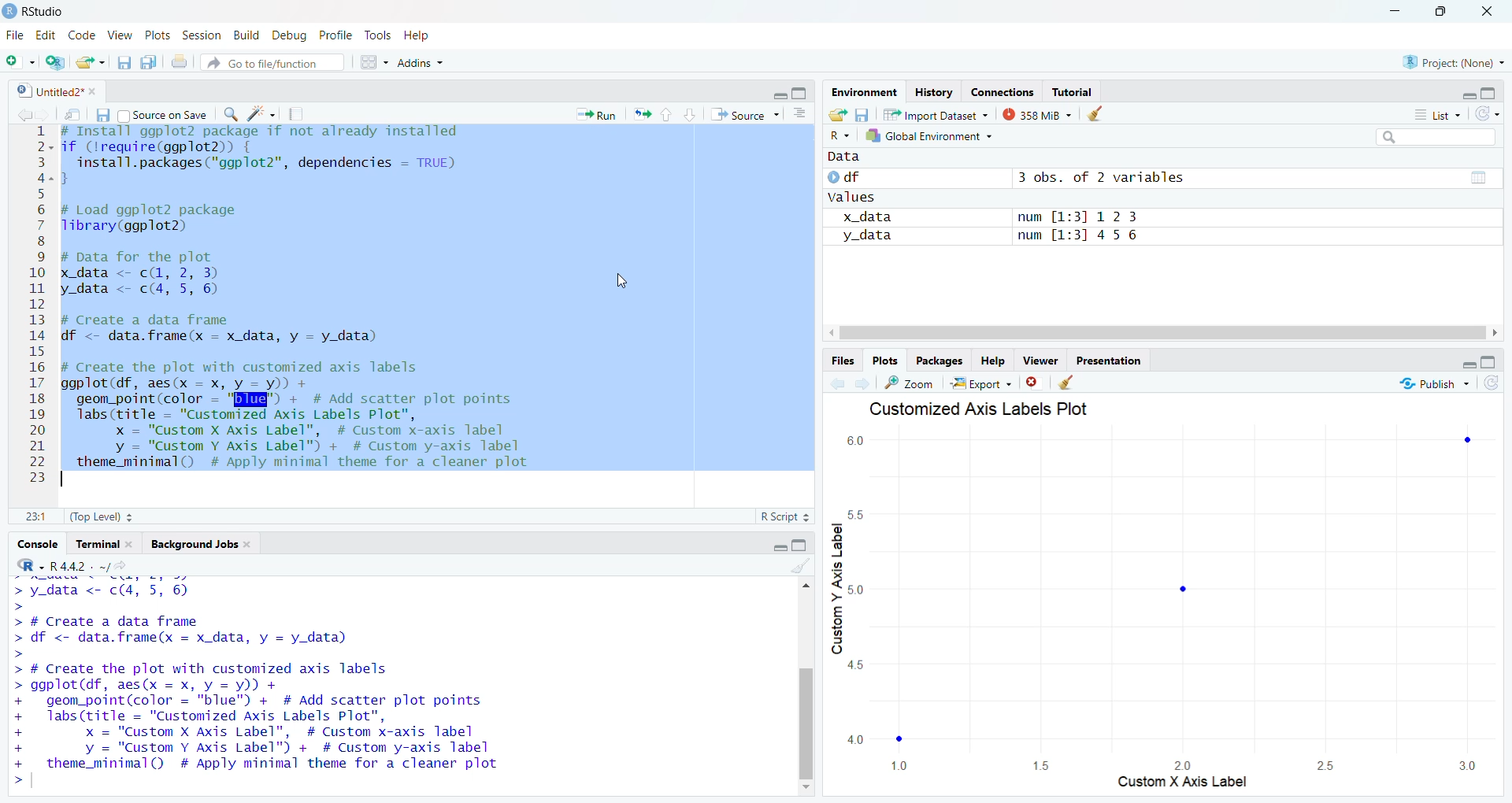  Describe the element at coordinates (806, 692) in the screenshot. I see `scroll bar` at that location.